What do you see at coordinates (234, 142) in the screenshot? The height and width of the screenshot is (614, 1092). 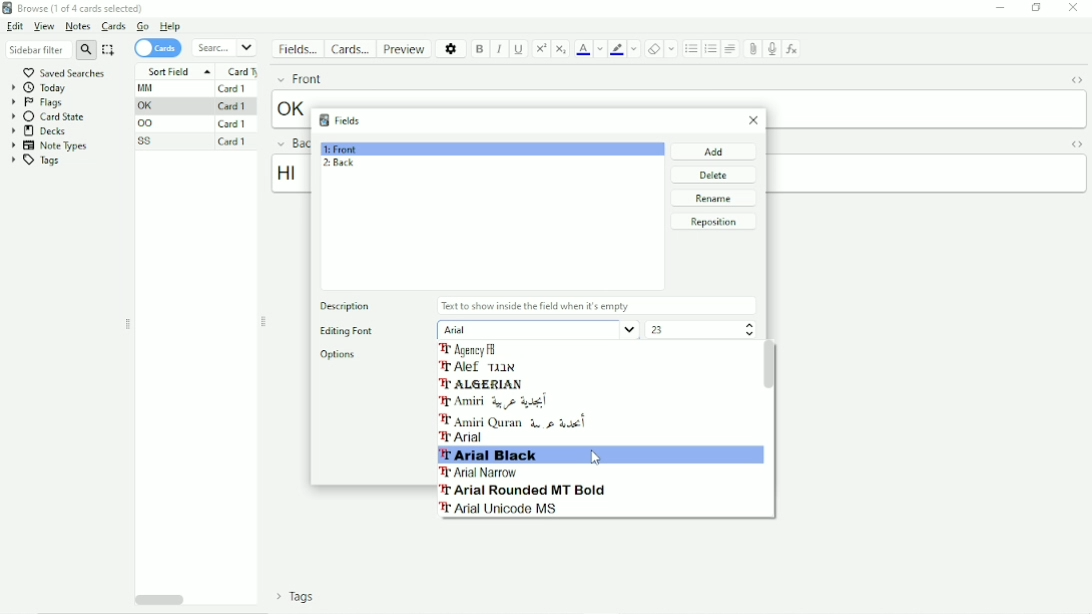 I see `Card 1` at bounding box center [234, 142].